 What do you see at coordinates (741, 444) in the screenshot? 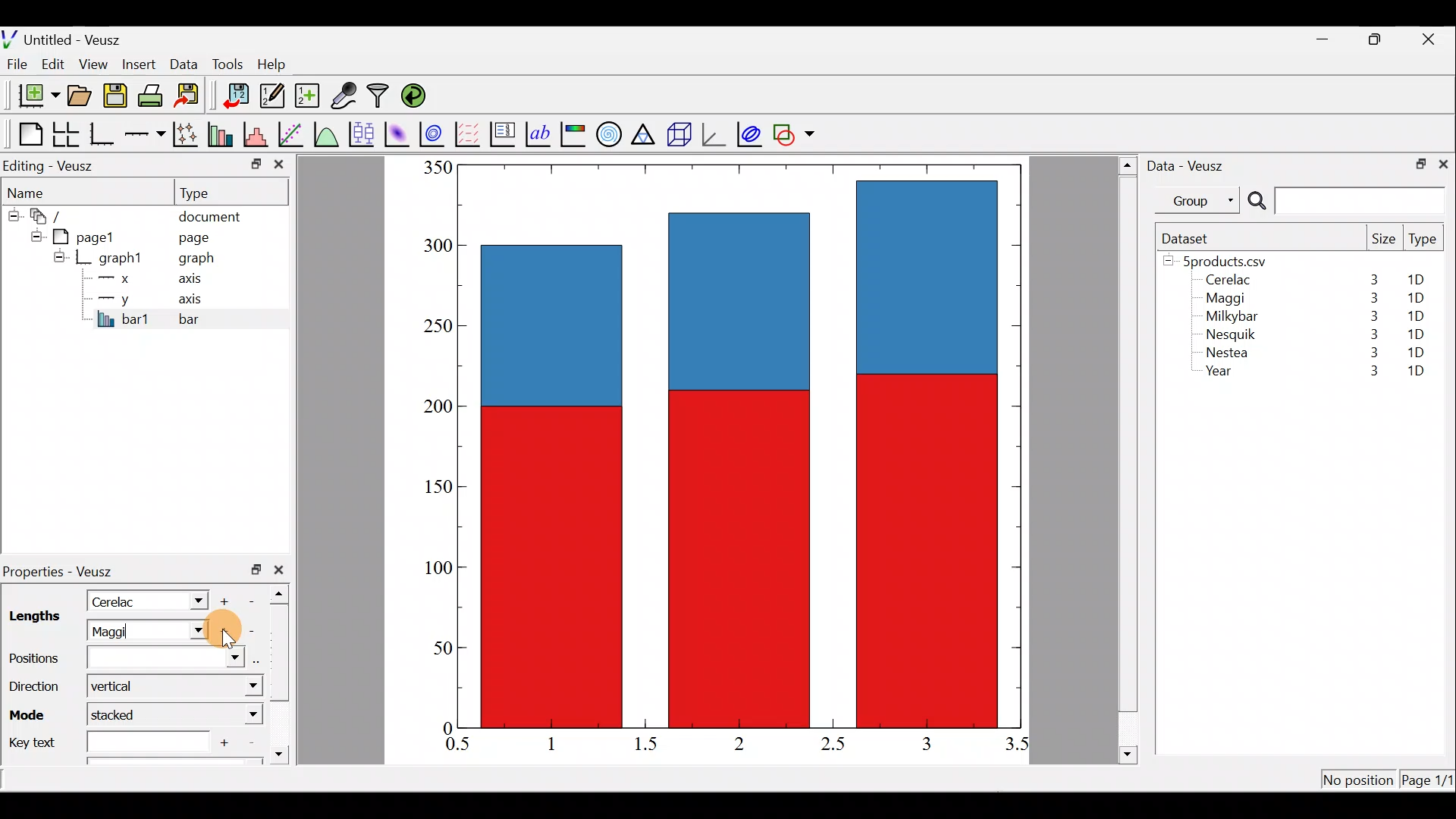
I see `bar chart inserted` at bounding box center [741, 444].